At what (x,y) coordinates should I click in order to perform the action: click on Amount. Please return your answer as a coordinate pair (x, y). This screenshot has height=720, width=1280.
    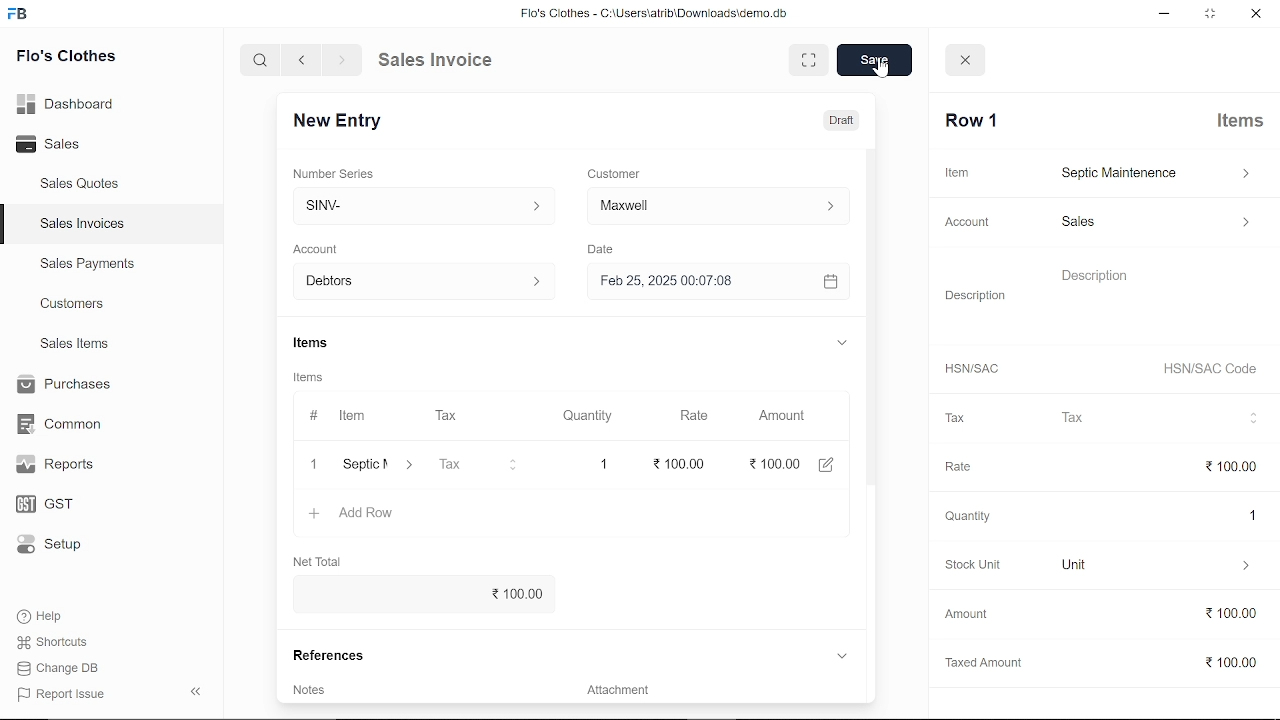
    Looking at the image, I should click on (782, 417).